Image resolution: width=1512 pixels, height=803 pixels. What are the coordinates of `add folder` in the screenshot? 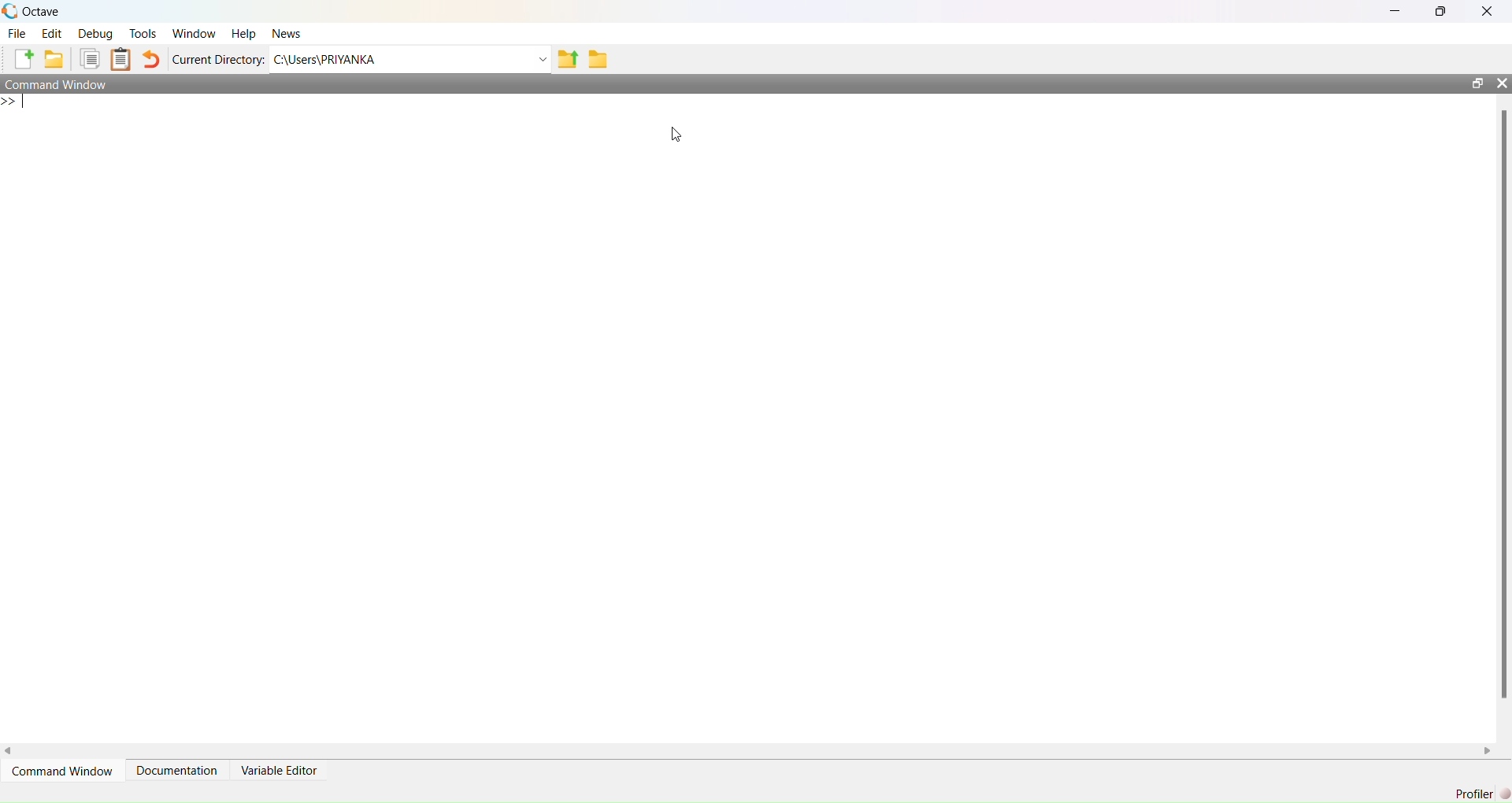 It's located at (55, 59).